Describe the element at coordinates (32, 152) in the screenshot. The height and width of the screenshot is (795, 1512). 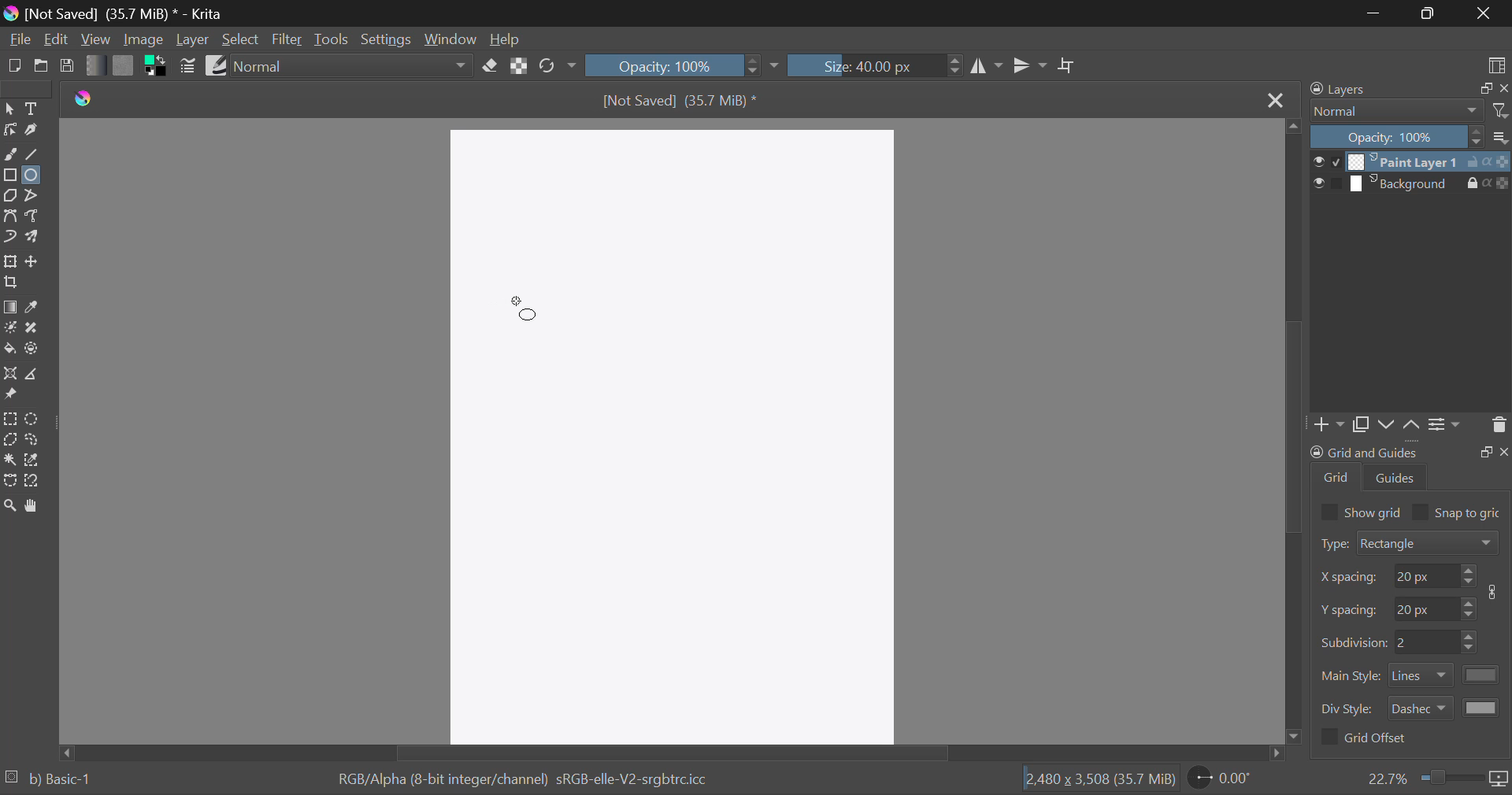
I see `Line` at that location.